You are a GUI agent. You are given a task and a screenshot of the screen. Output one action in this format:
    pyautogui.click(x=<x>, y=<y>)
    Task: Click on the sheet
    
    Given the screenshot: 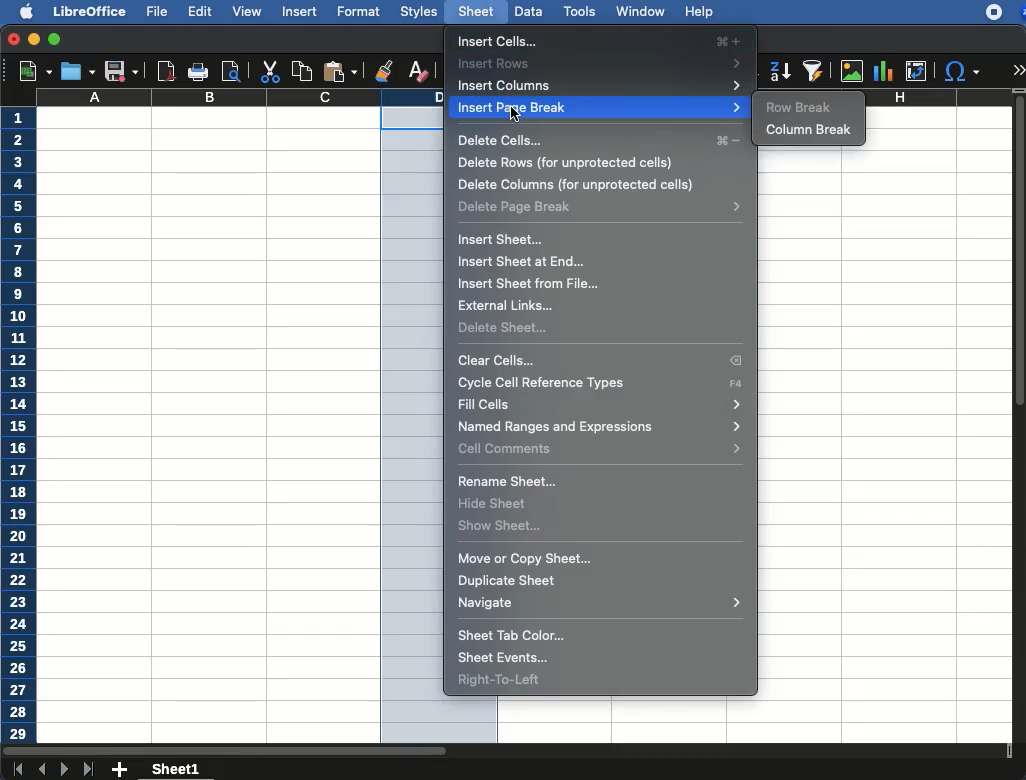 What is the action you would take?
    pyautogui.click(x=475, y=12)
    